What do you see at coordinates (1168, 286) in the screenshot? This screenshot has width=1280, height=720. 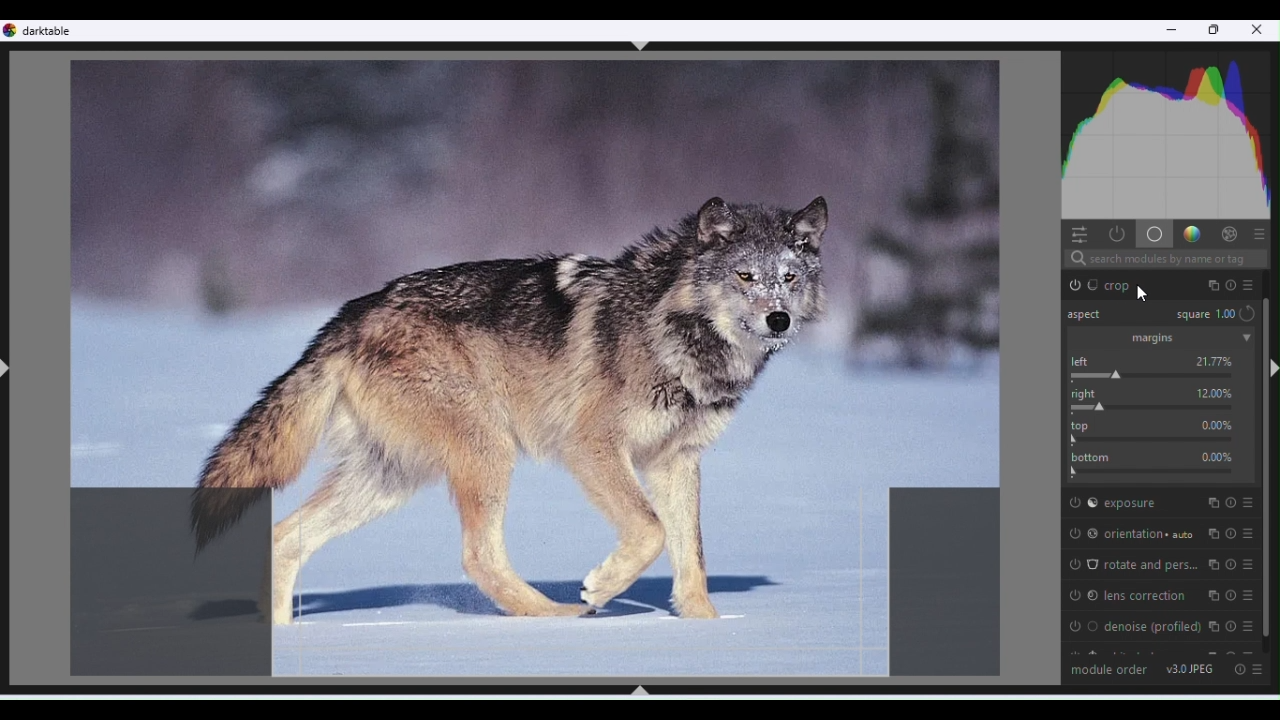 I see `crop` at bounding box center [1168, 286].